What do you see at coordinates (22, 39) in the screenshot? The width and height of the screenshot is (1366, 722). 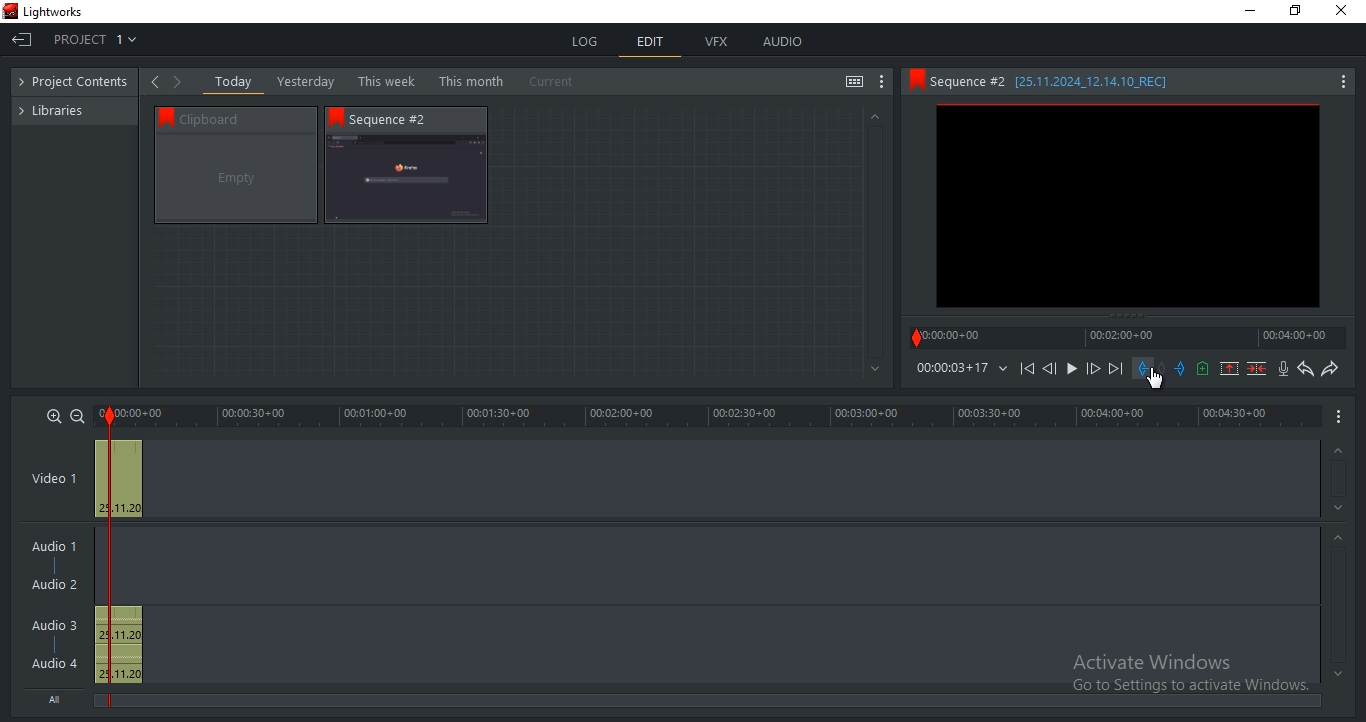 I see `Exit project` at bounding box center [22, 39].